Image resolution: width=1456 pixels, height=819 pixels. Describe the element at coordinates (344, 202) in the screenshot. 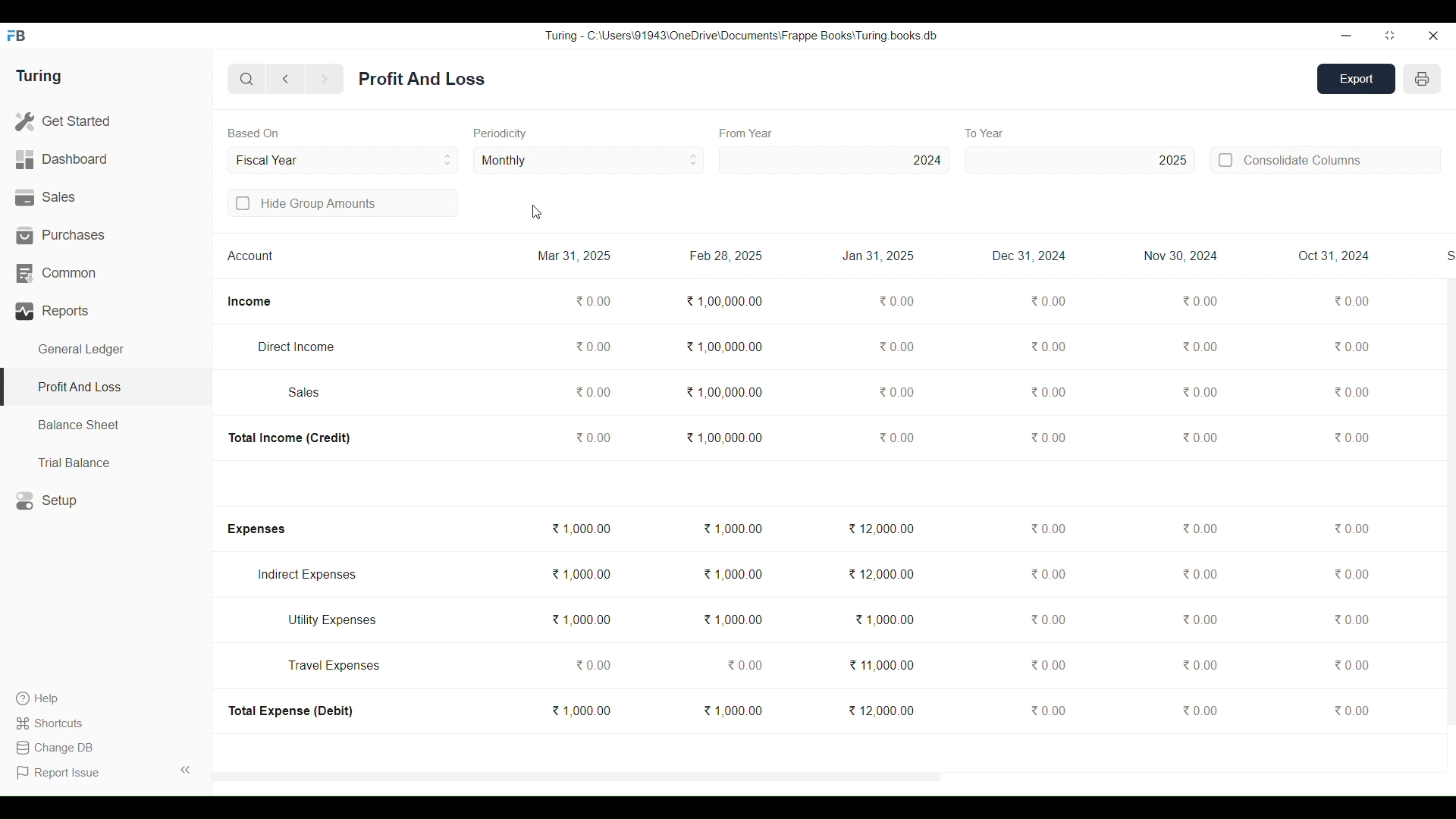

I see `Hide Group Amounts` at that location.